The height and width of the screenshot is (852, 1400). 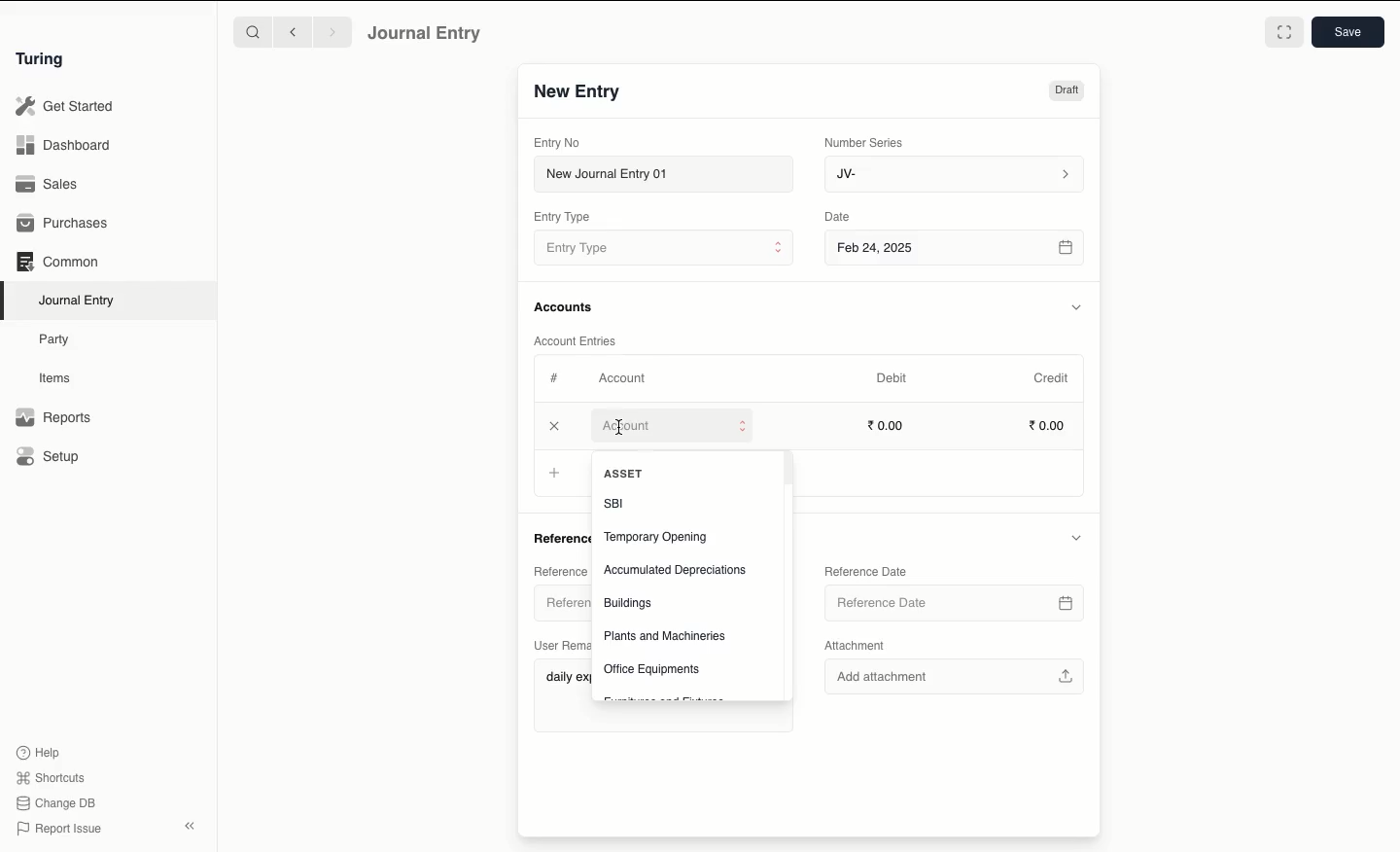 I want to click on Plants and Machineries, so click(x=666, y=636).